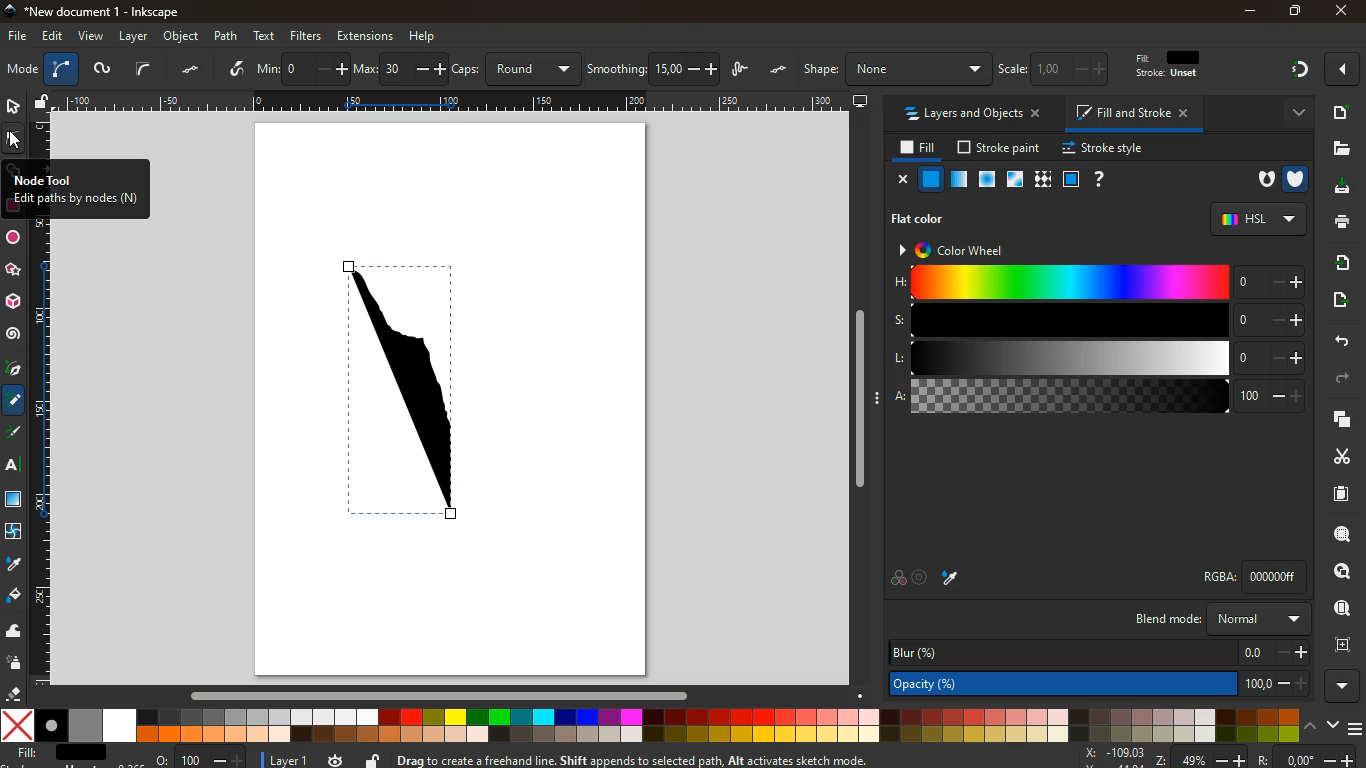  Describe the element at coordinates (1298, 72) in the screenshot. I see `gradient` at that location.